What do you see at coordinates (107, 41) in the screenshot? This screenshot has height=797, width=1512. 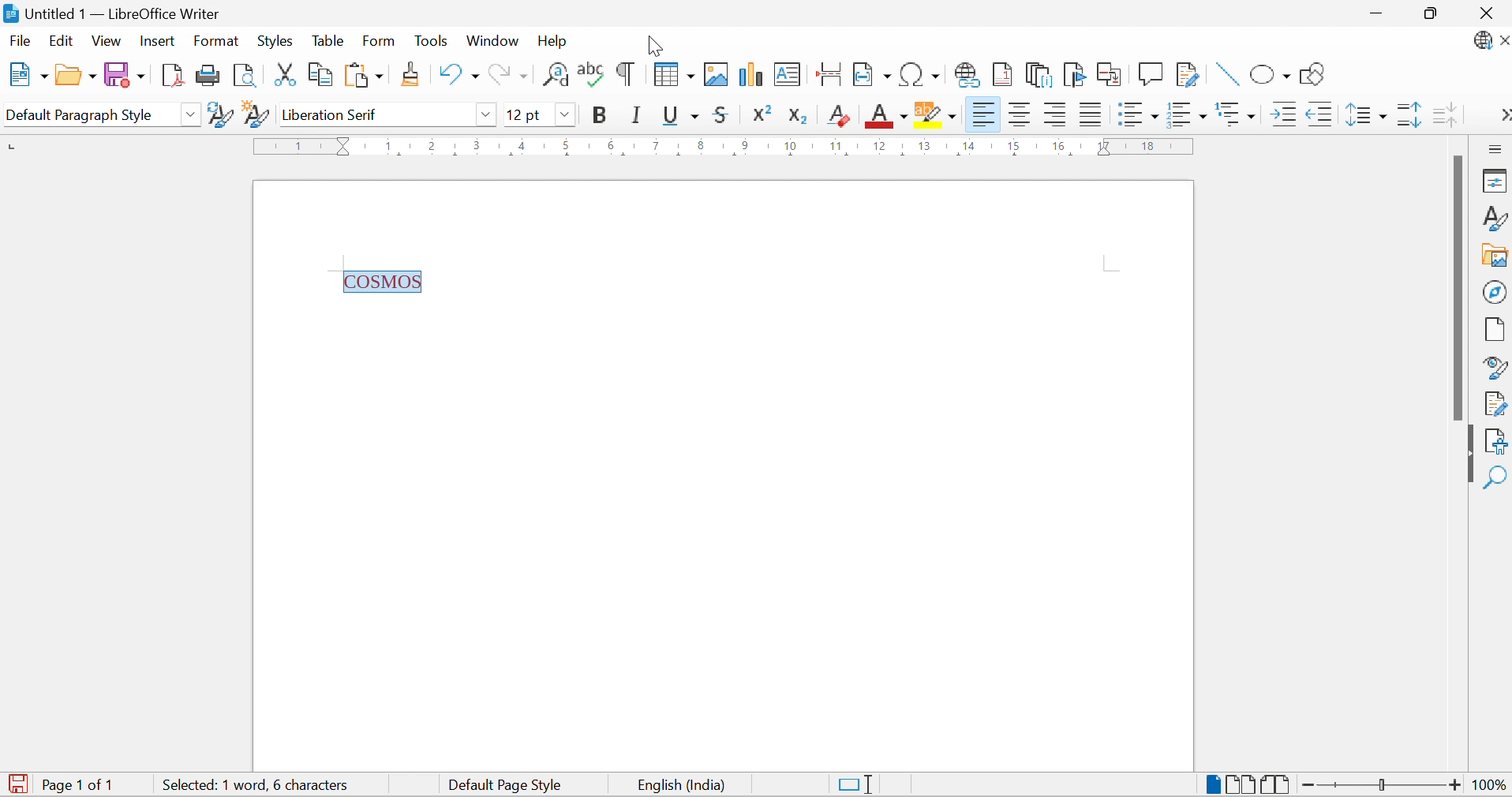 I see `View` at bounding box center [107, 41].